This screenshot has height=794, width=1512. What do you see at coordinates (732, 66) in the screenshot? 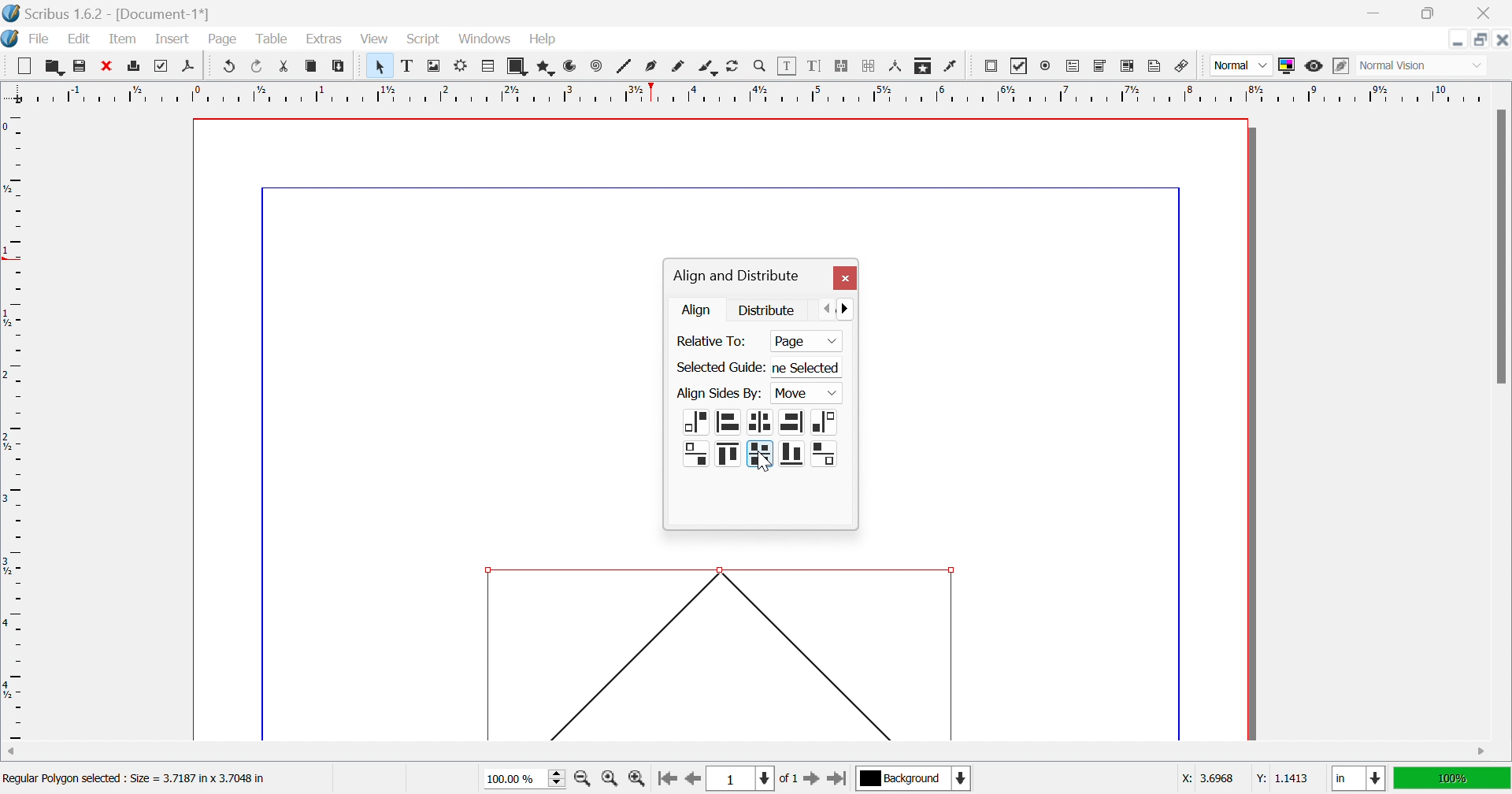
I see `Rotate item` at bounding box center [732, 66].